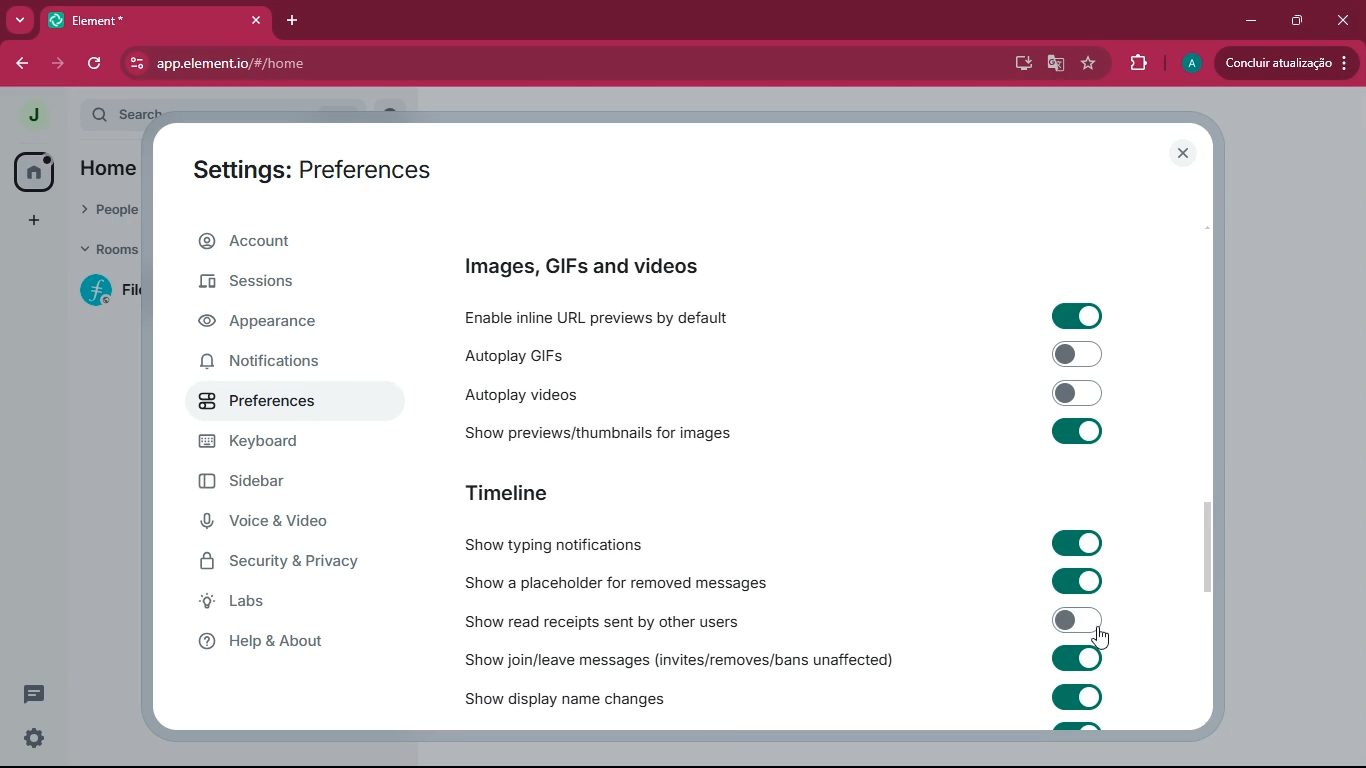 This screenshot has height=768, width=1366. I want to click on autoplay GIFs, so click(640, 354).